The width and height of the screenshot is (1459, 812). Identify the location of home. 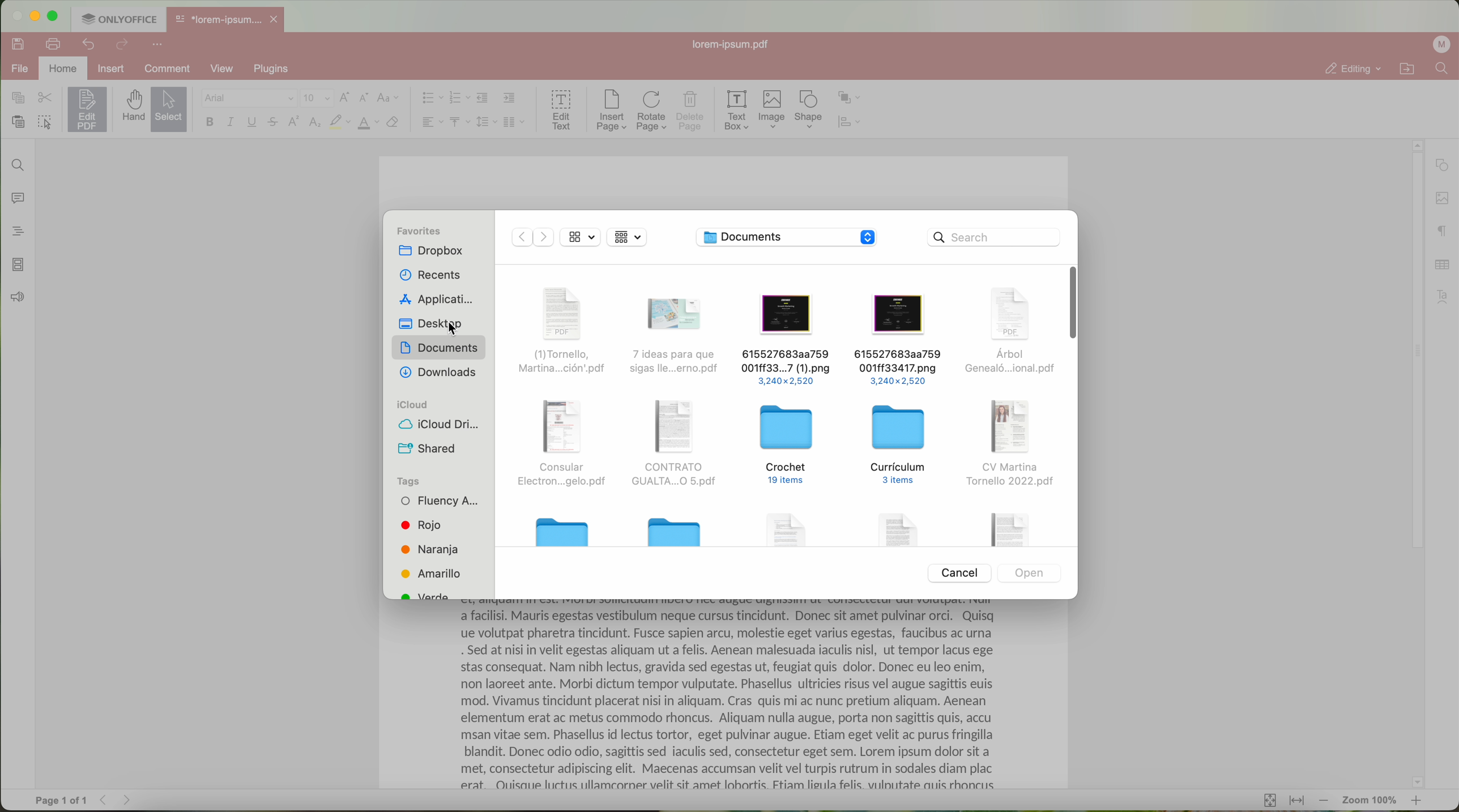
(64, 69).